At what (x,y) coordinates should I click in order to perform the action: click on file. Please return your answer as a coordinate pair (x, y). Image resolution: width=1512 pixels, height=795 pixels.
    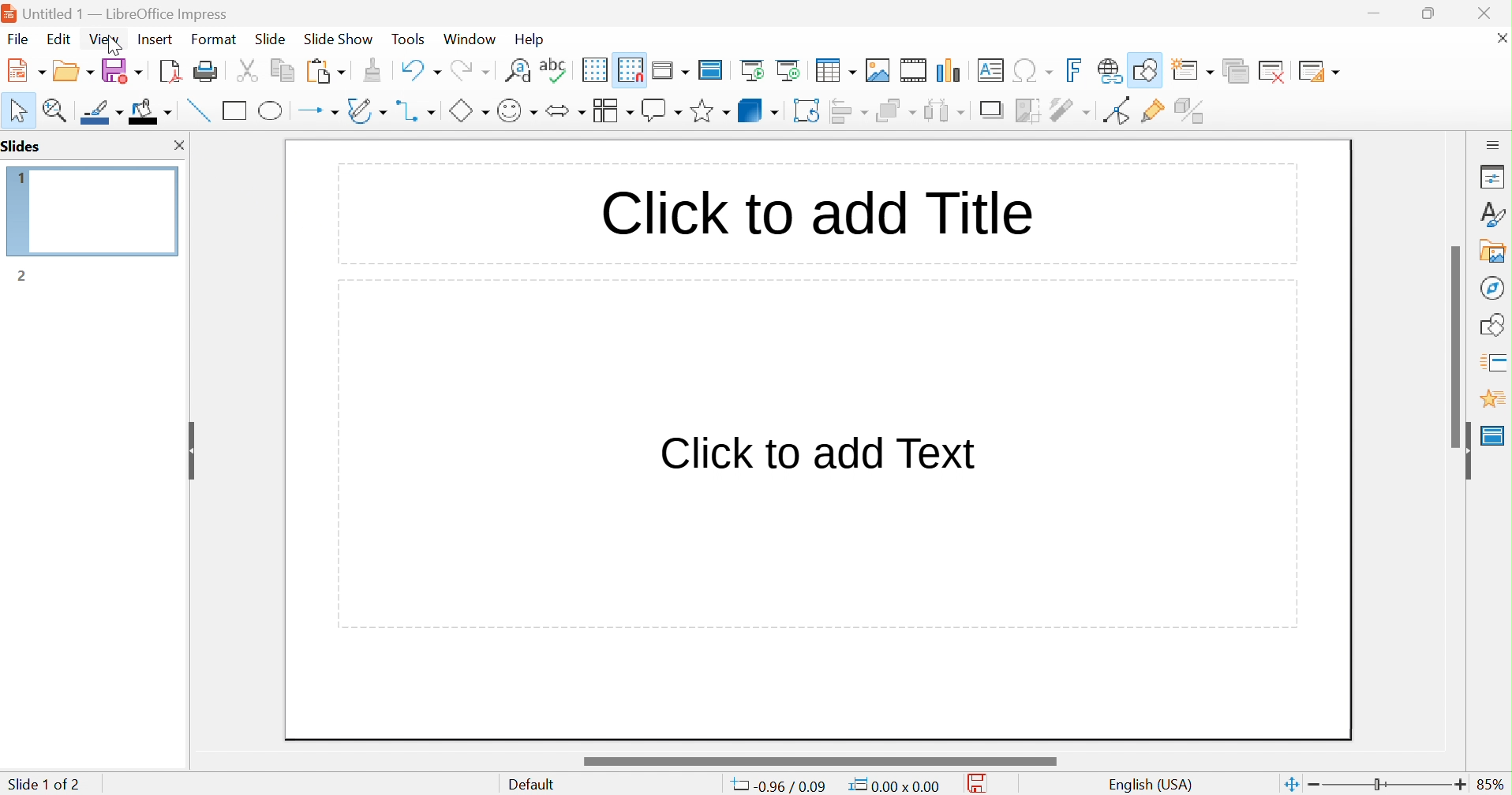
    Looking at the image, I should click on (18, 39).